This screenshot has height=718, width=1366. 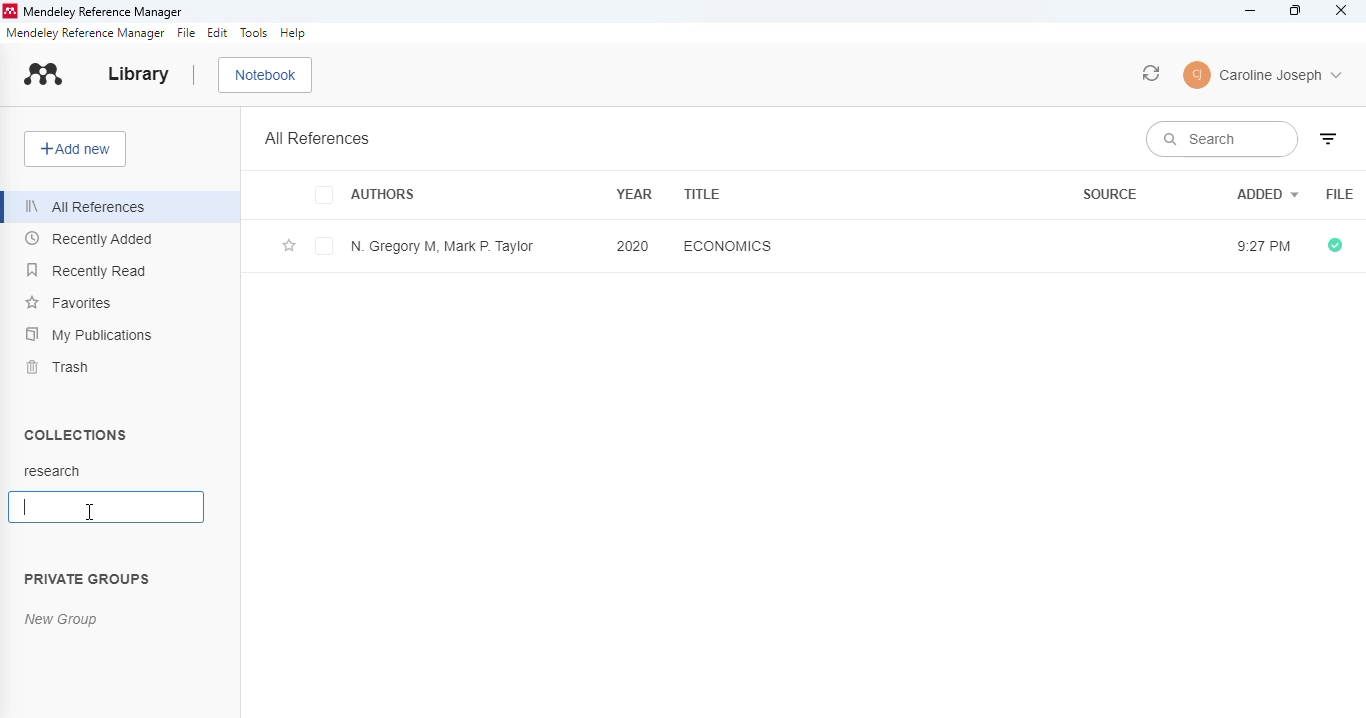 What do you see at coordinates (86, 33) in the screenshot?
I see `mendeley reference manager` at bounding box center [86, 33].